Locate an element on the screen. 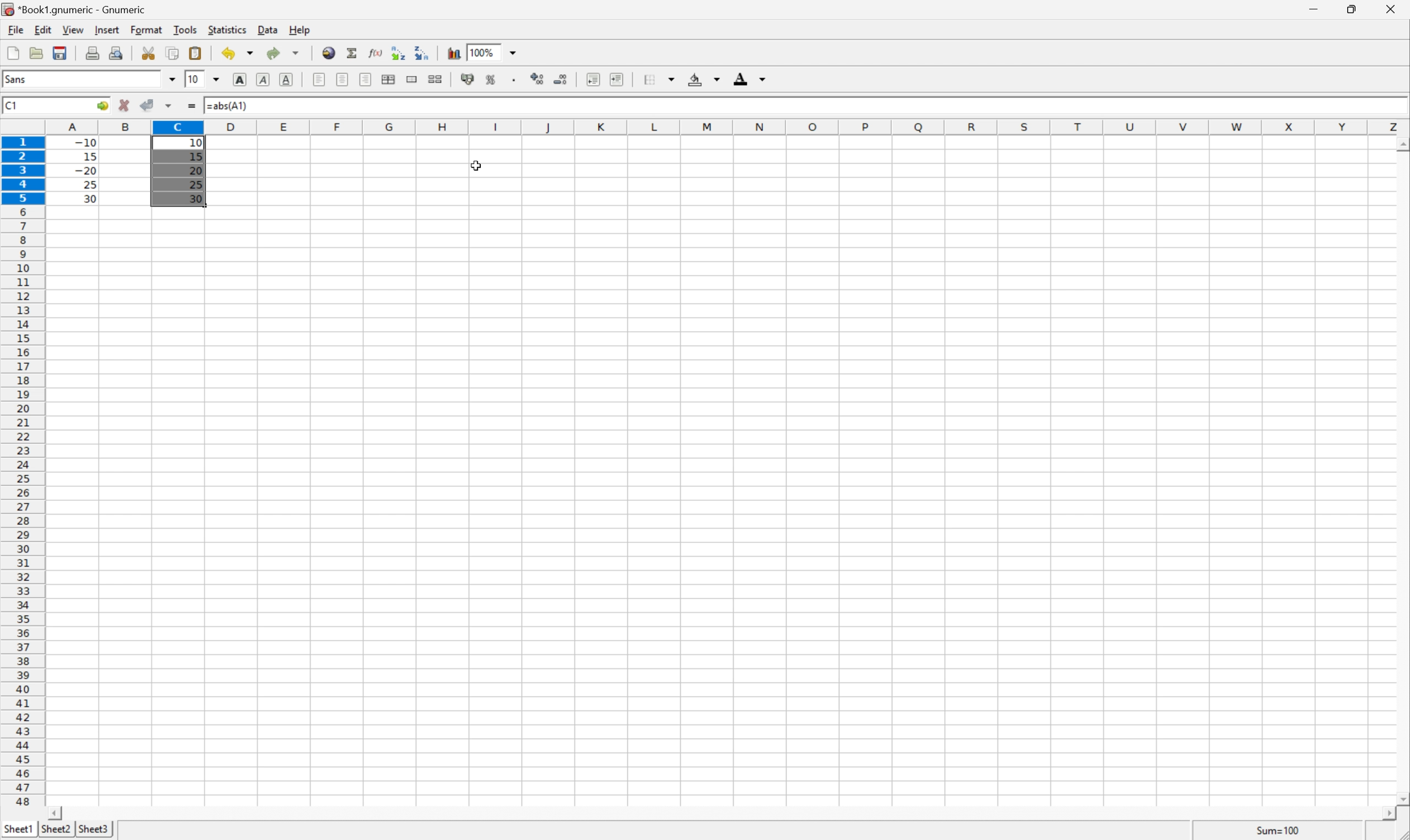  Decrease the number of decimals displayed is located at coordinates (561, 79).